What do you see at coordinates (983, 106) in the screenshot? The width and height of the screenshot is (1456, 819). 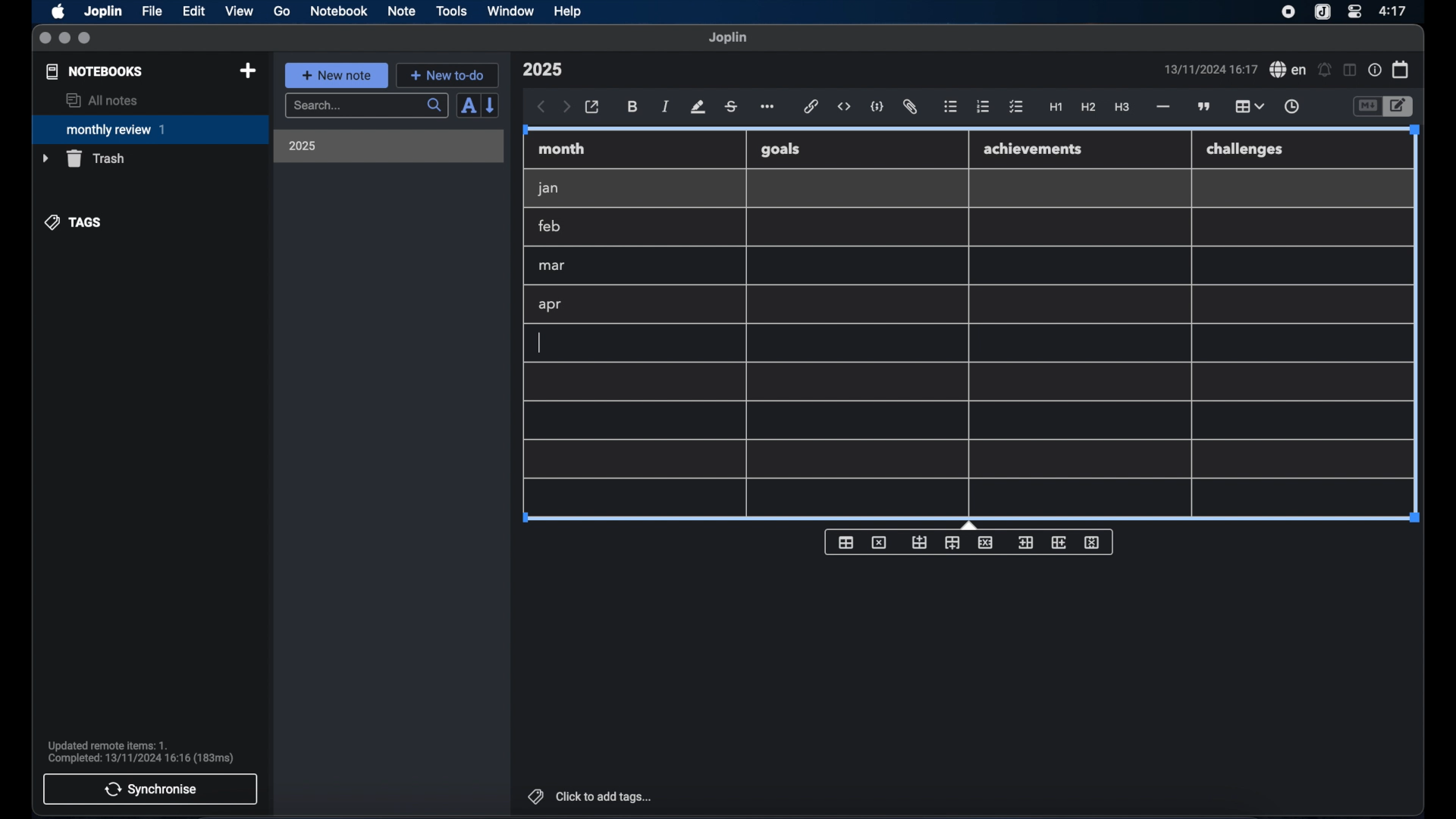 I see `numbered list` at bounding box center [983, 106].